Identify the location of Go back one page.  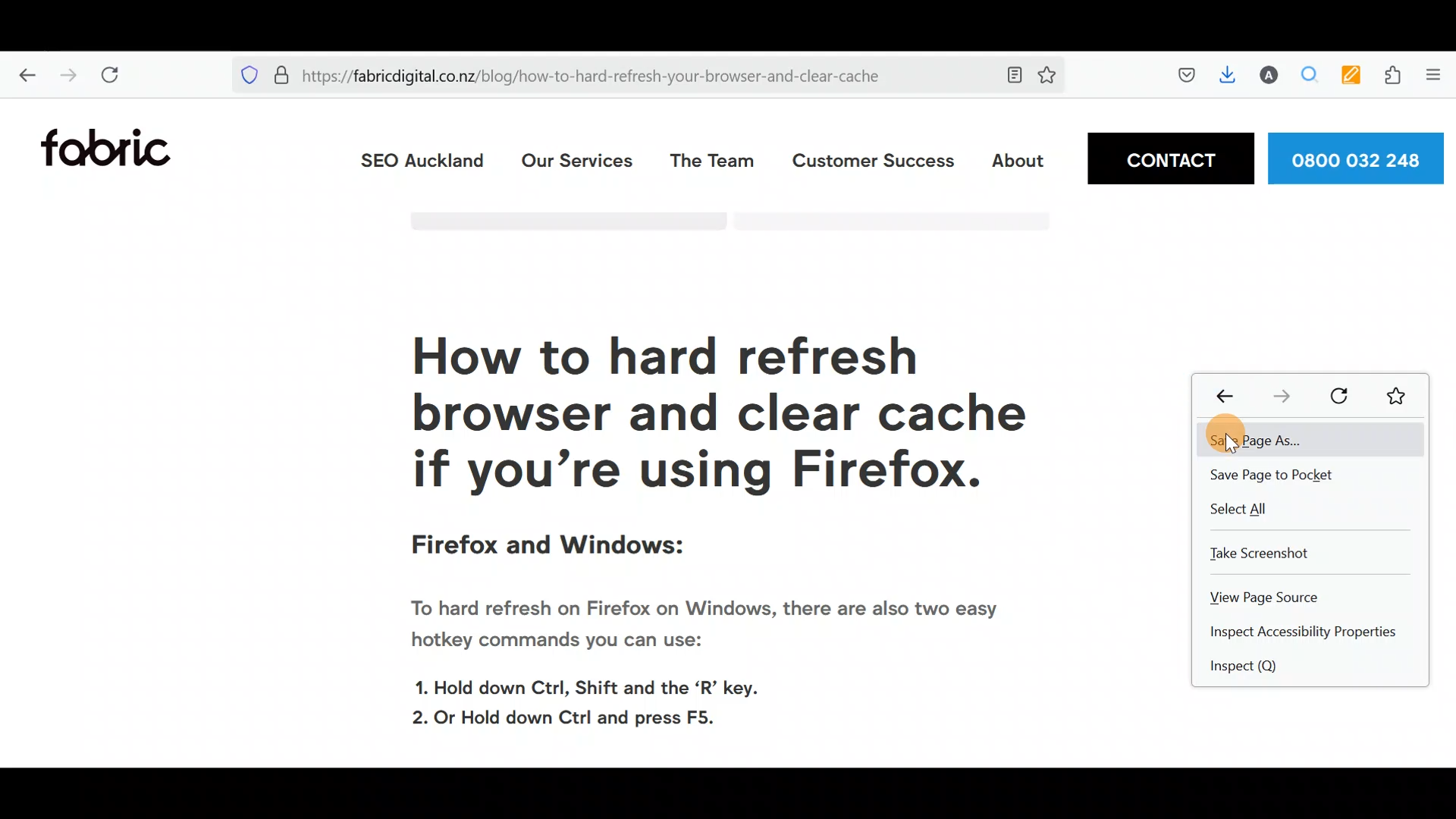
(20, 76).